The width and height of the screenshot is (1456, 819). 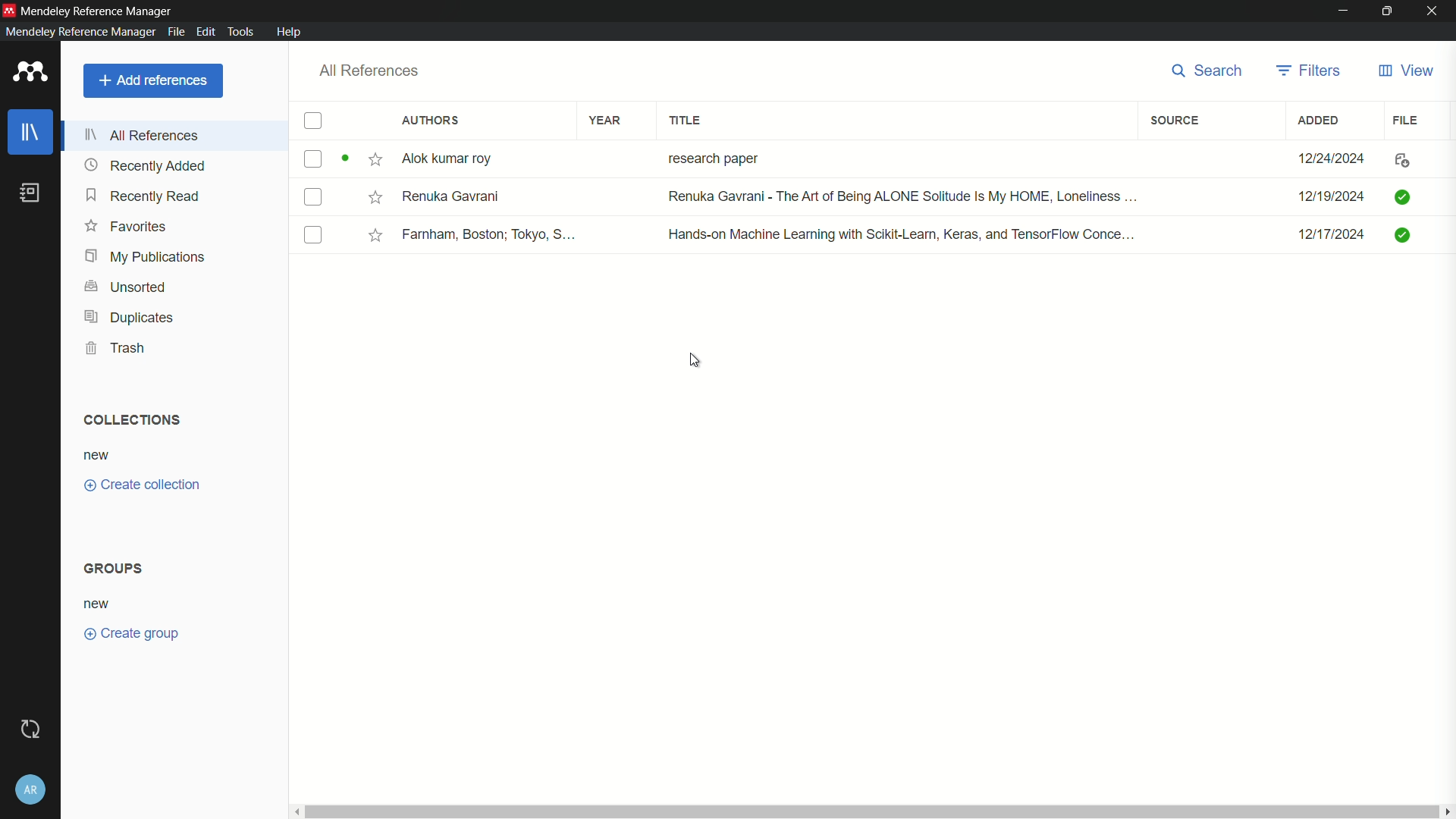 I want to click on close app, so click(x=1436, y=11).